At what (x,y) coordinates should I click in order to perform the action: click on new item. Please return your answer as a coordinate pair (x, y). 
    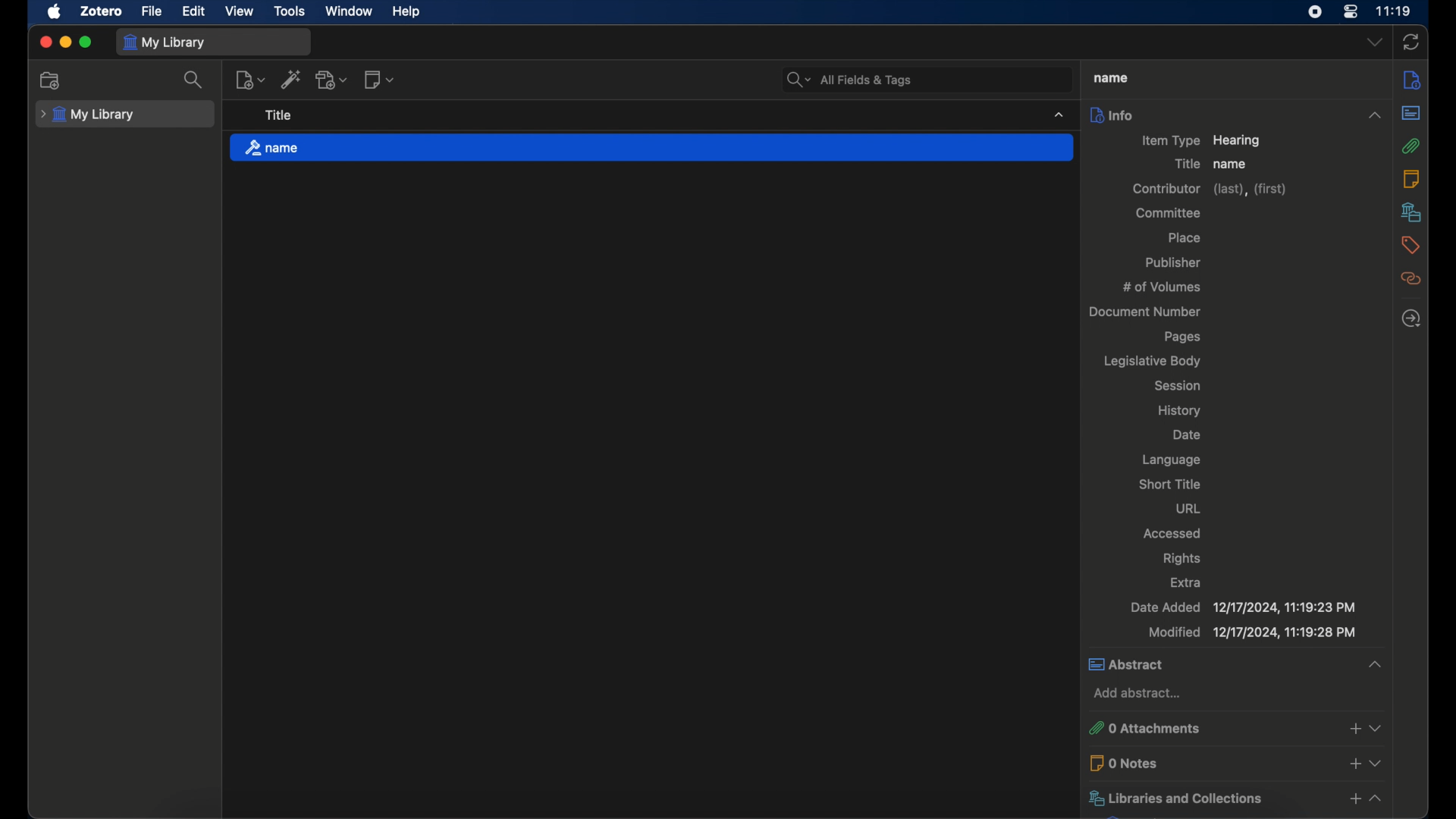
    Looking at the image, I should click on (251, 80).